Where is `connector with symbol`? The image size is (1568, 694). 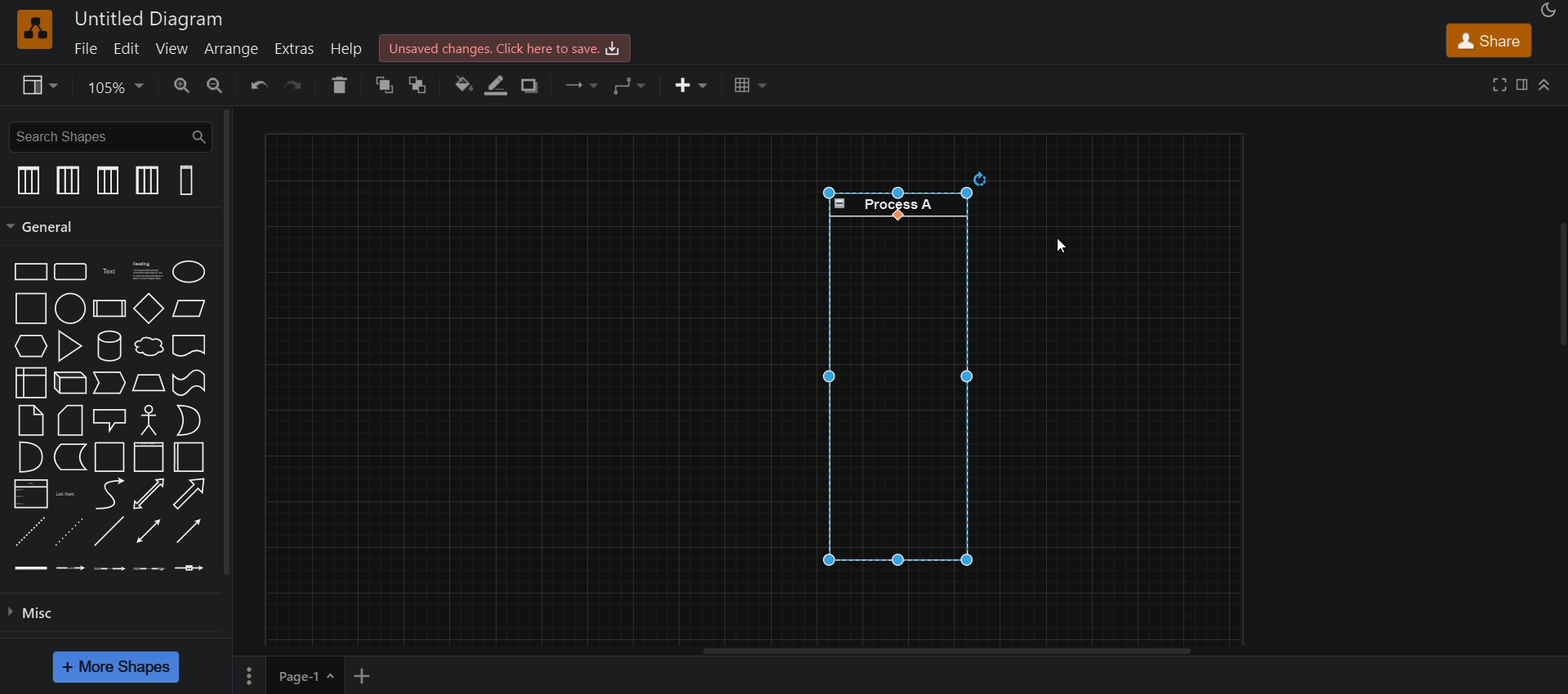
connector with symbol is located at coordinates (191, 570).